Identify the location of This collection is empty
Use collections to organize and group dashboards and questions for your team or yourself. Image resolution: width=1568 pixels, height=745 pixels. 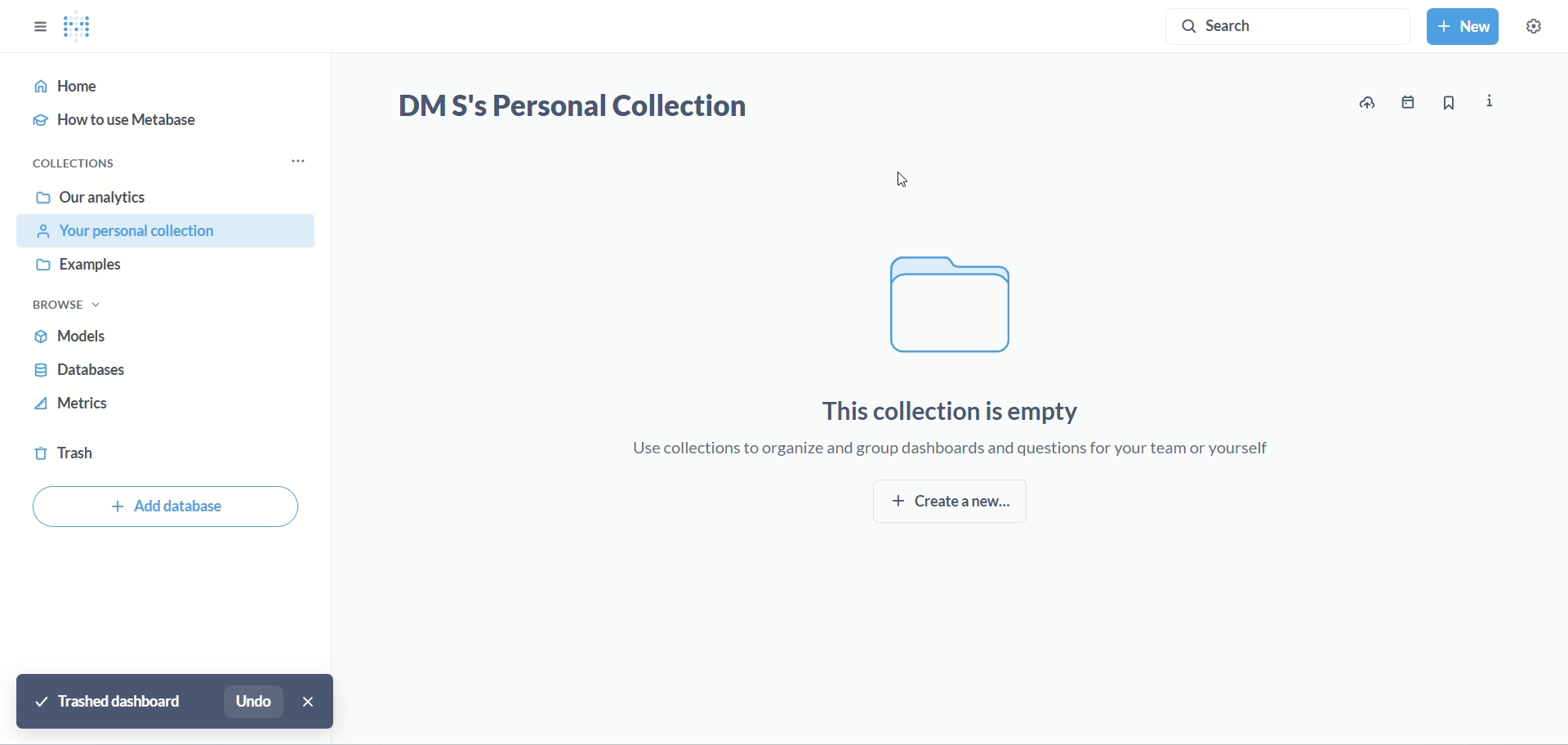
(960, 423).